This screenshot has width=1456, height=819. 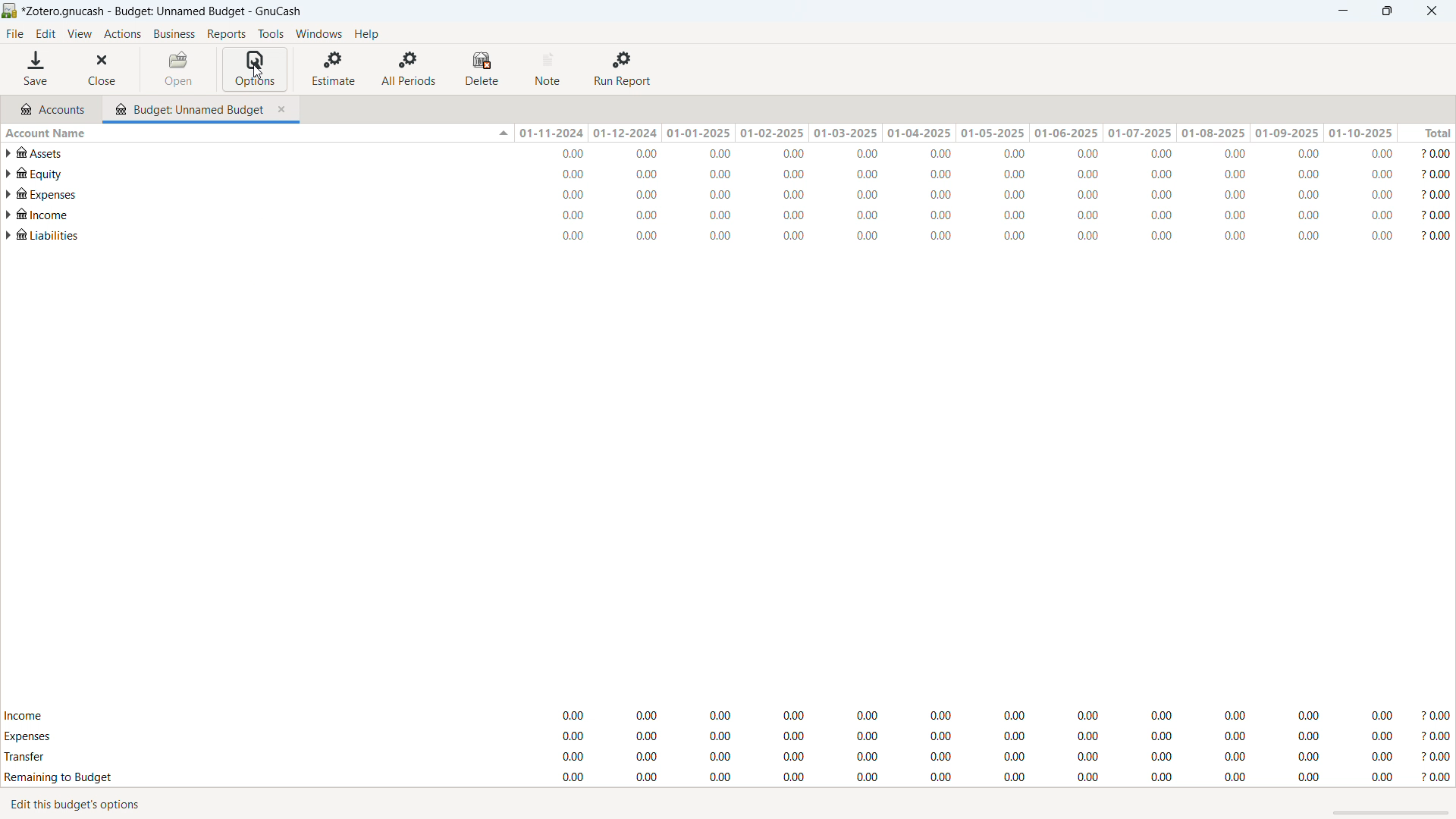 What do you see at coordinates (319, 34) in the screenshot?
I see `windows` at bounding box center [319, 34].